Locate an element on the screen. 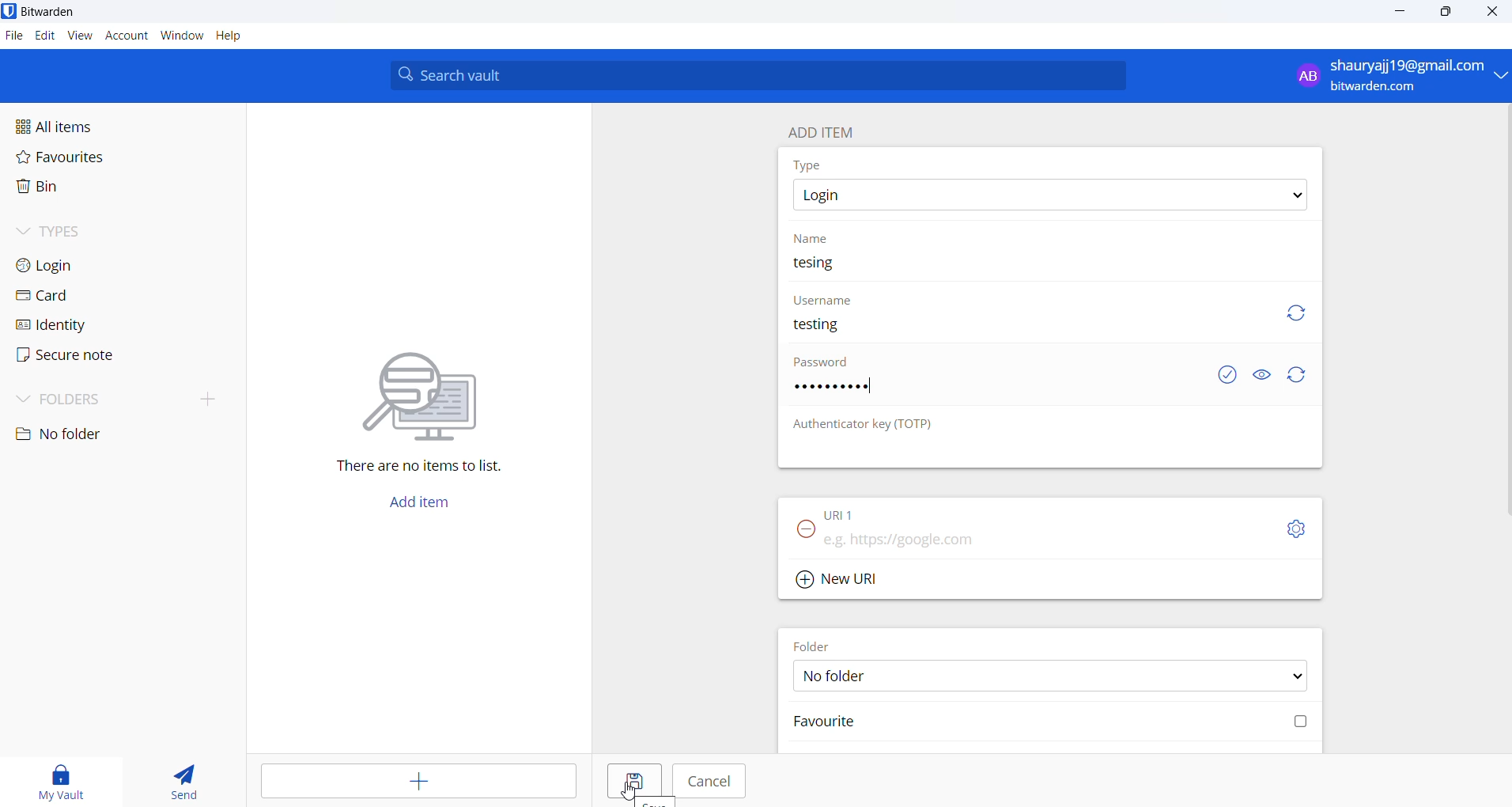 This screenshot has width=1512, height=807. graphical illustration conveying searching for a file is located at coordinates (435, 393).